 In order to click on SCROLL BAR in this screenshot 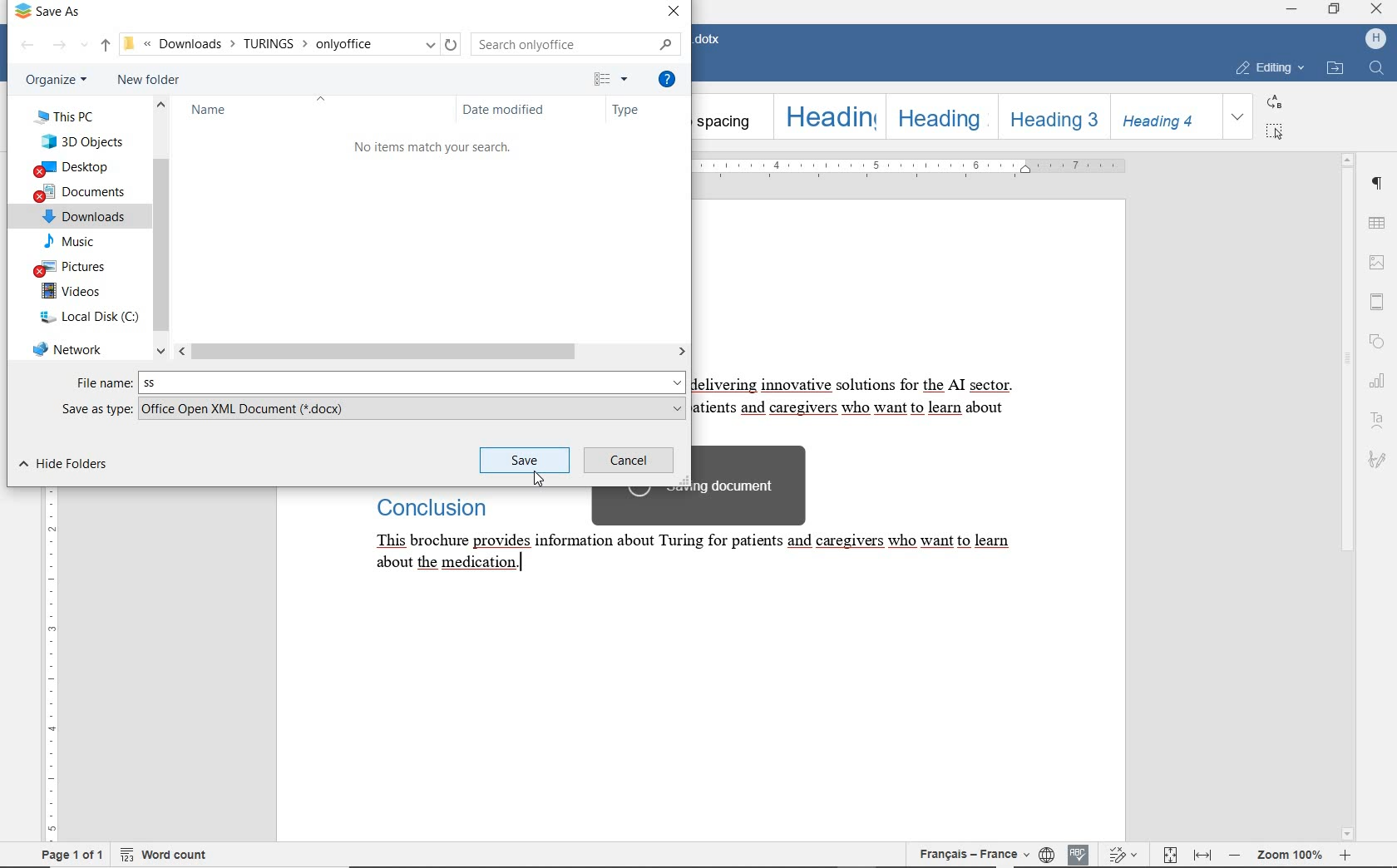, I will do `click(161, 228)`.